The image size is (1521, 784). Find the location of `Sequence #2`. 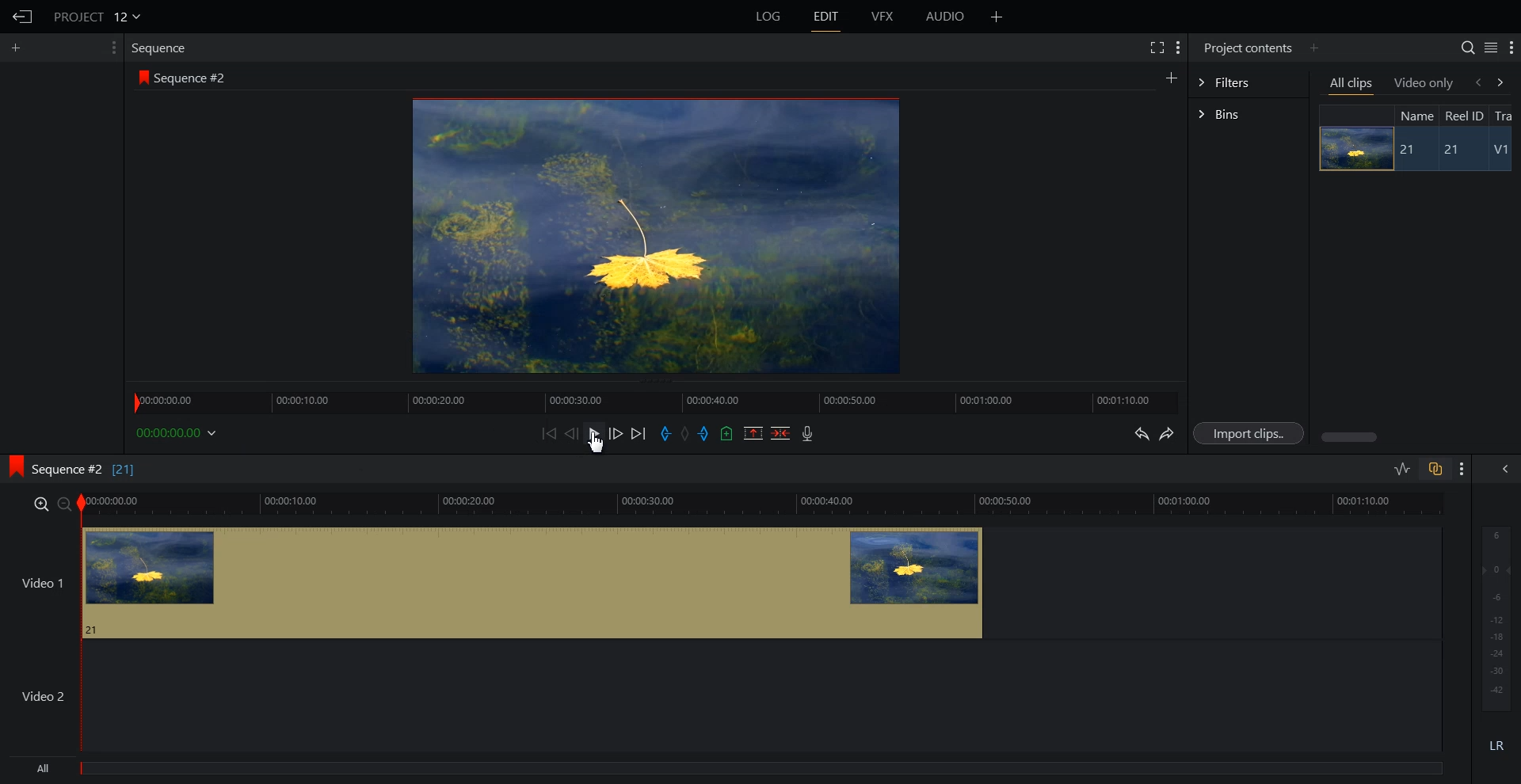

Sequence #2 is located at coordinates (194, 78).